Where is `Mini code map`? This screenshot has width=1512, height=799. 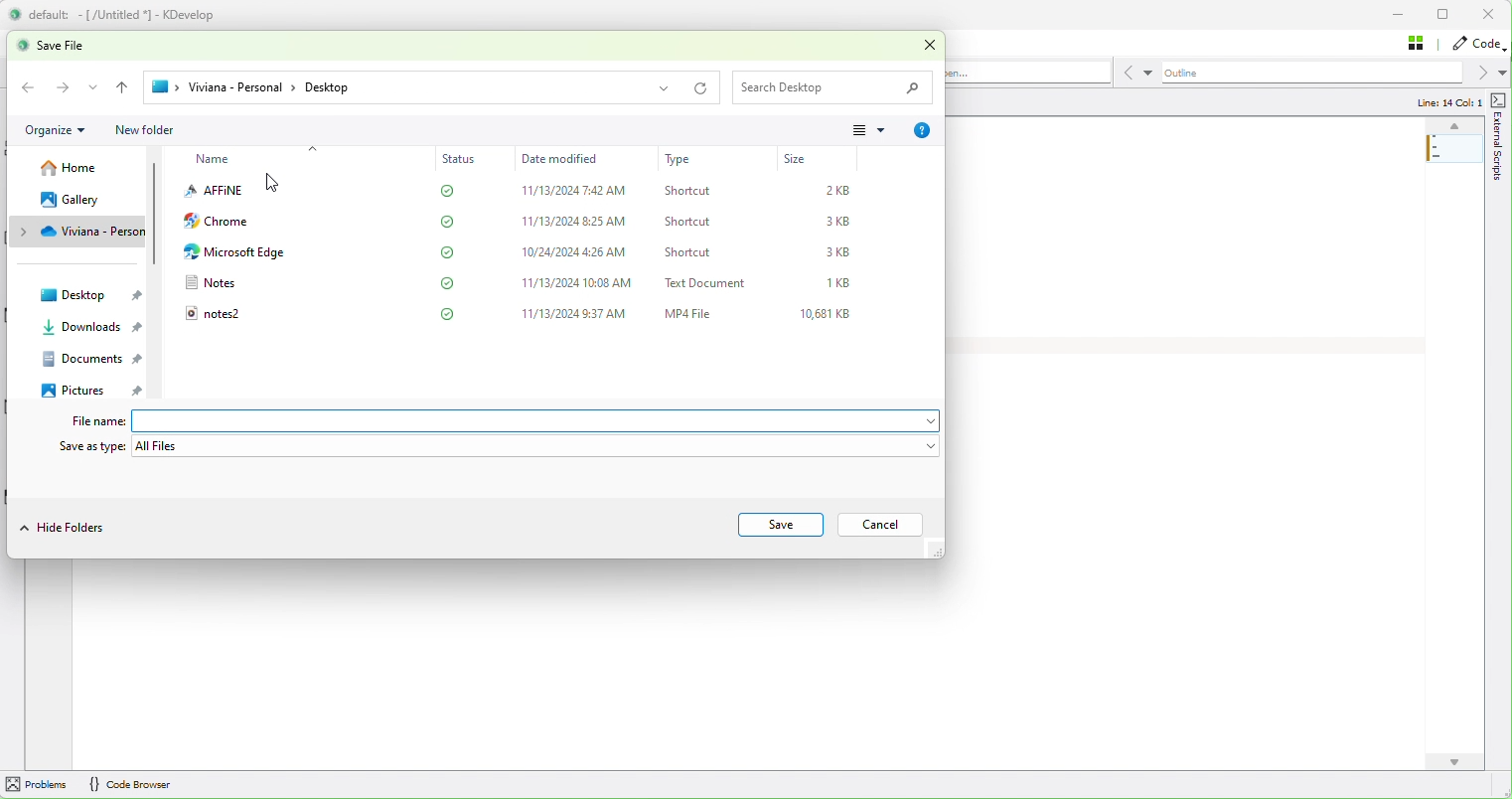 Mini code map is located at coordinates (1455, 172).